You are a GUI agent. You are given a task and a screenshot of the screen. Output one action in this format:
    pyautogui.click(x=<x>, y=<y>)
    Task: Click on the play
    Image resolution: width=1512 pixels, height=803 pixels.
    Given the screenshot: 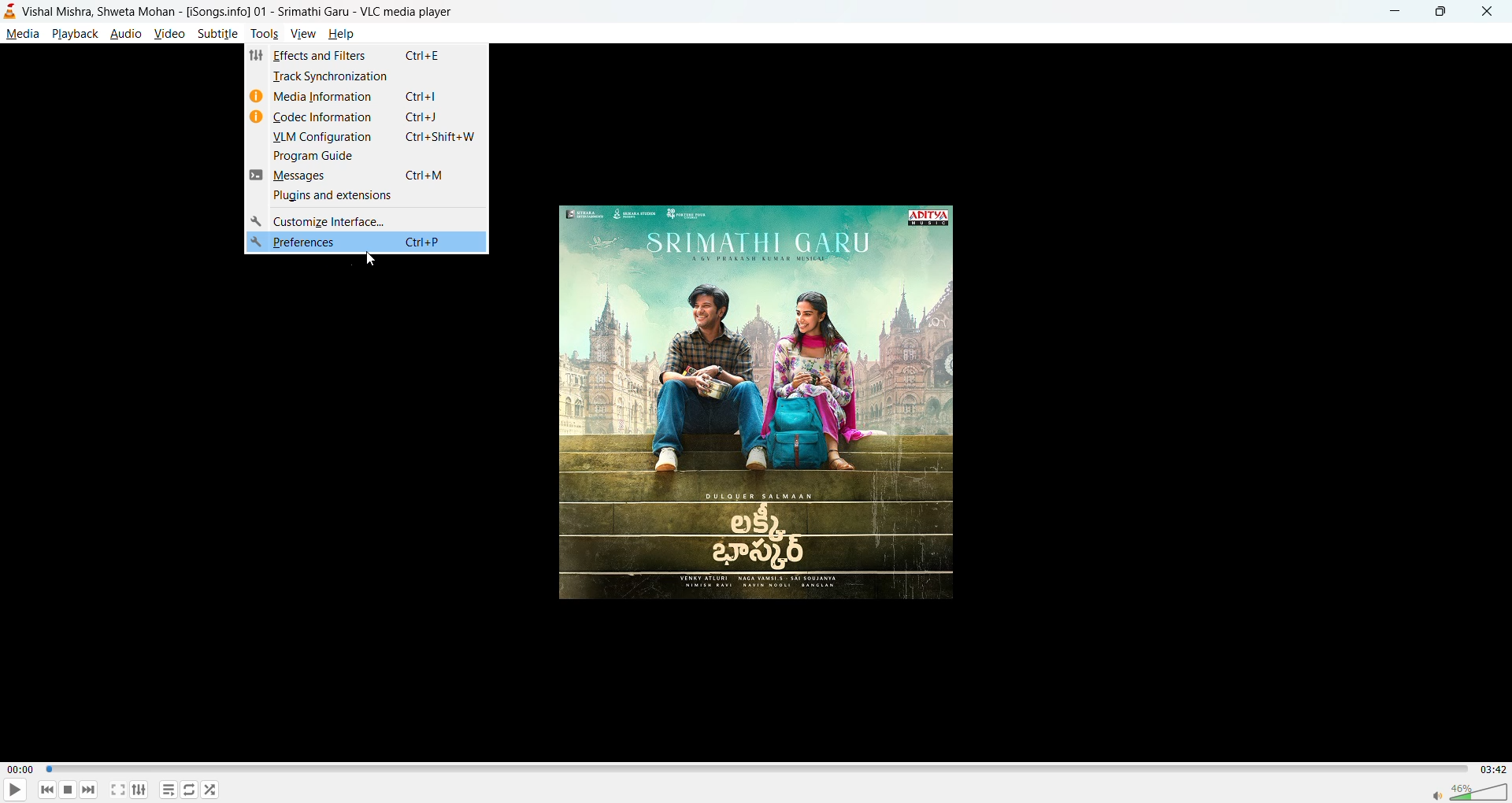 What is the action you would take?
    pyautogui.click(x=9, y=791)
    